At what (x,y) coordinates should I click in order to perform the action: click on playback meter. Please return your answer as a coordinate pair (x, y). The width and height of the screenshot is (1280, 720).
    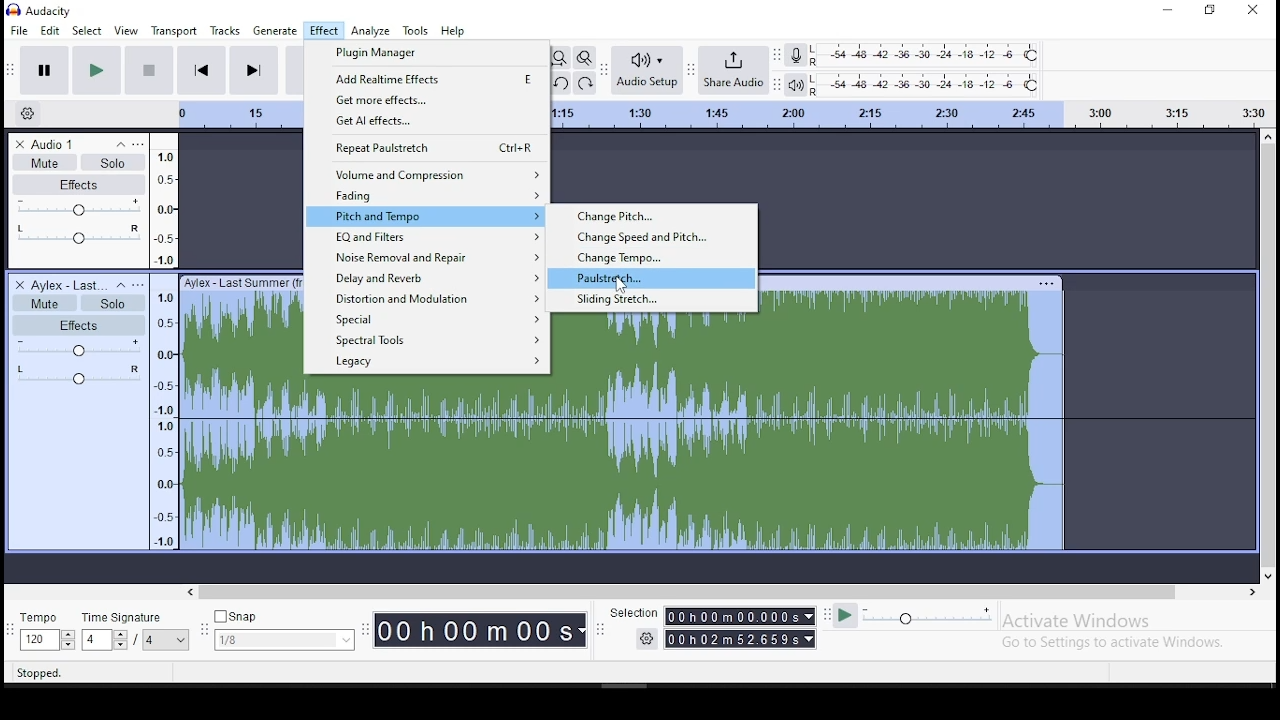
    Looking at the image, I should click on (794, 84).